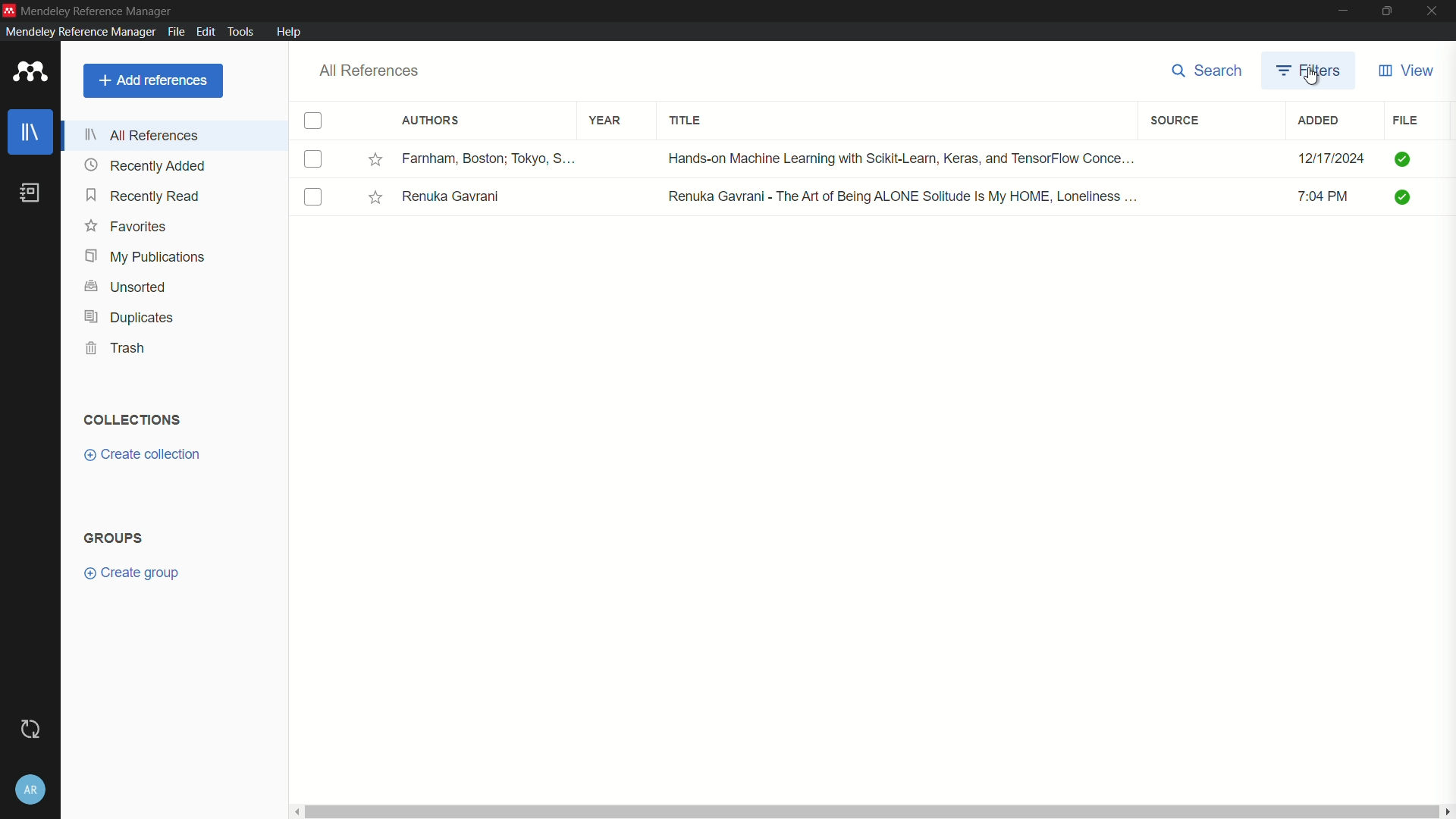  What do you see at coordinates (1407, 71) in the screenshot?
I see `view` at bounding box center [1407, 71].